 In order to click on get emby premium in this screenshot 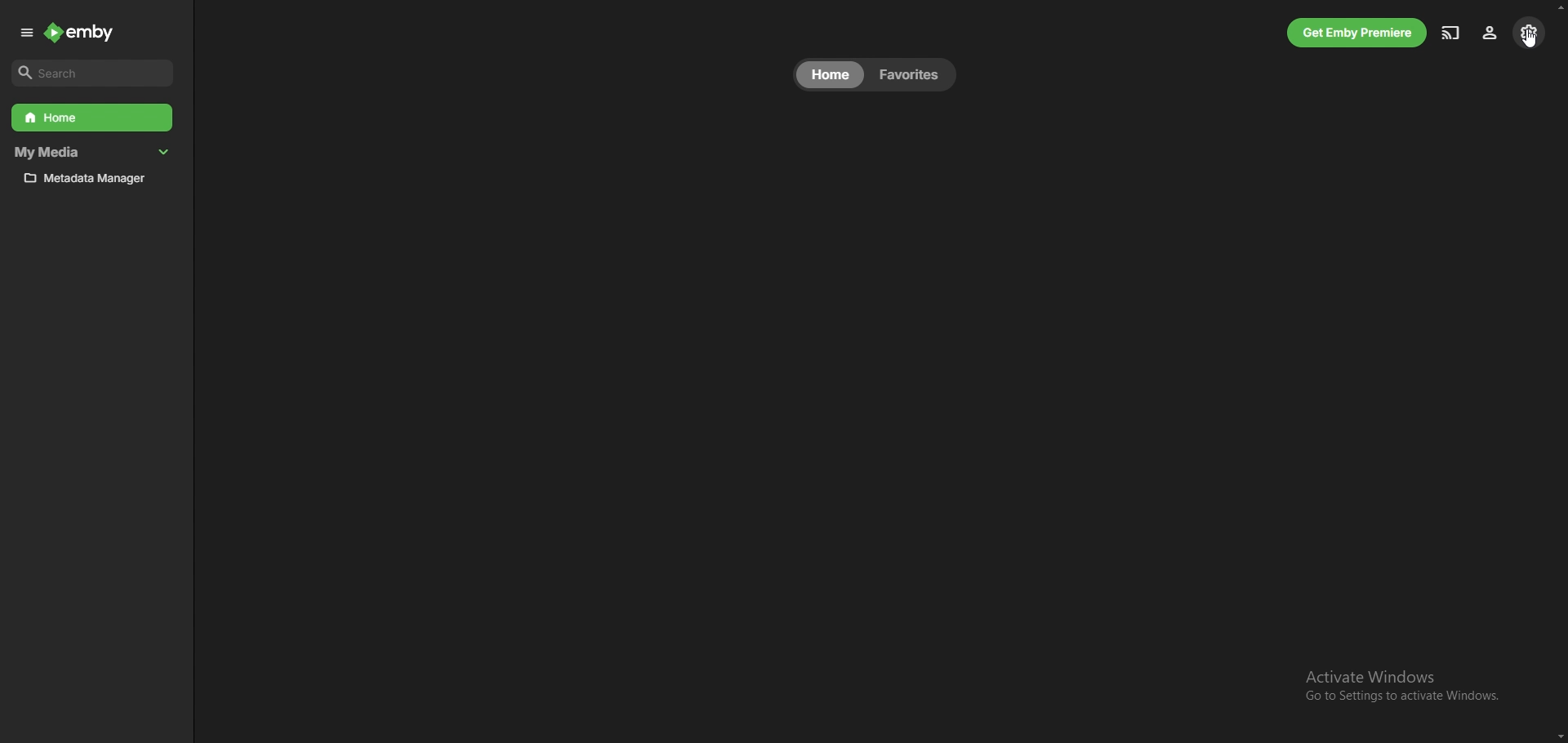, I will do `click(1357, 33)`.